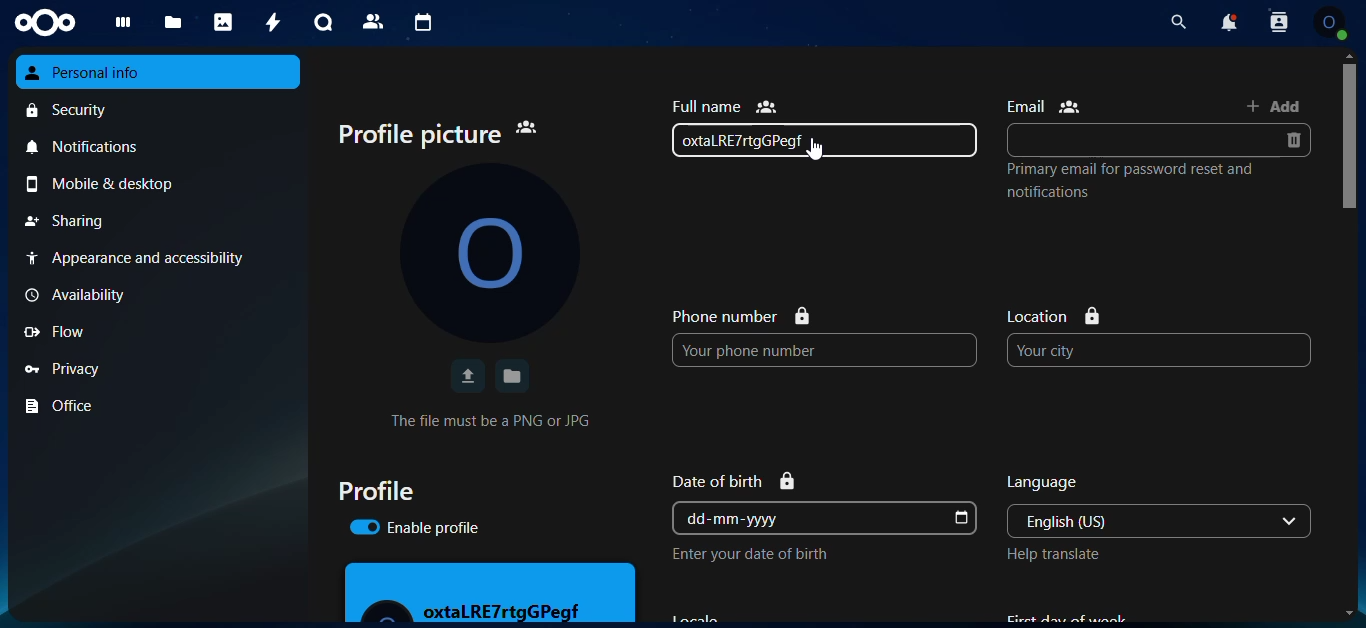  I want to click on Cursor, so click(814, 149).